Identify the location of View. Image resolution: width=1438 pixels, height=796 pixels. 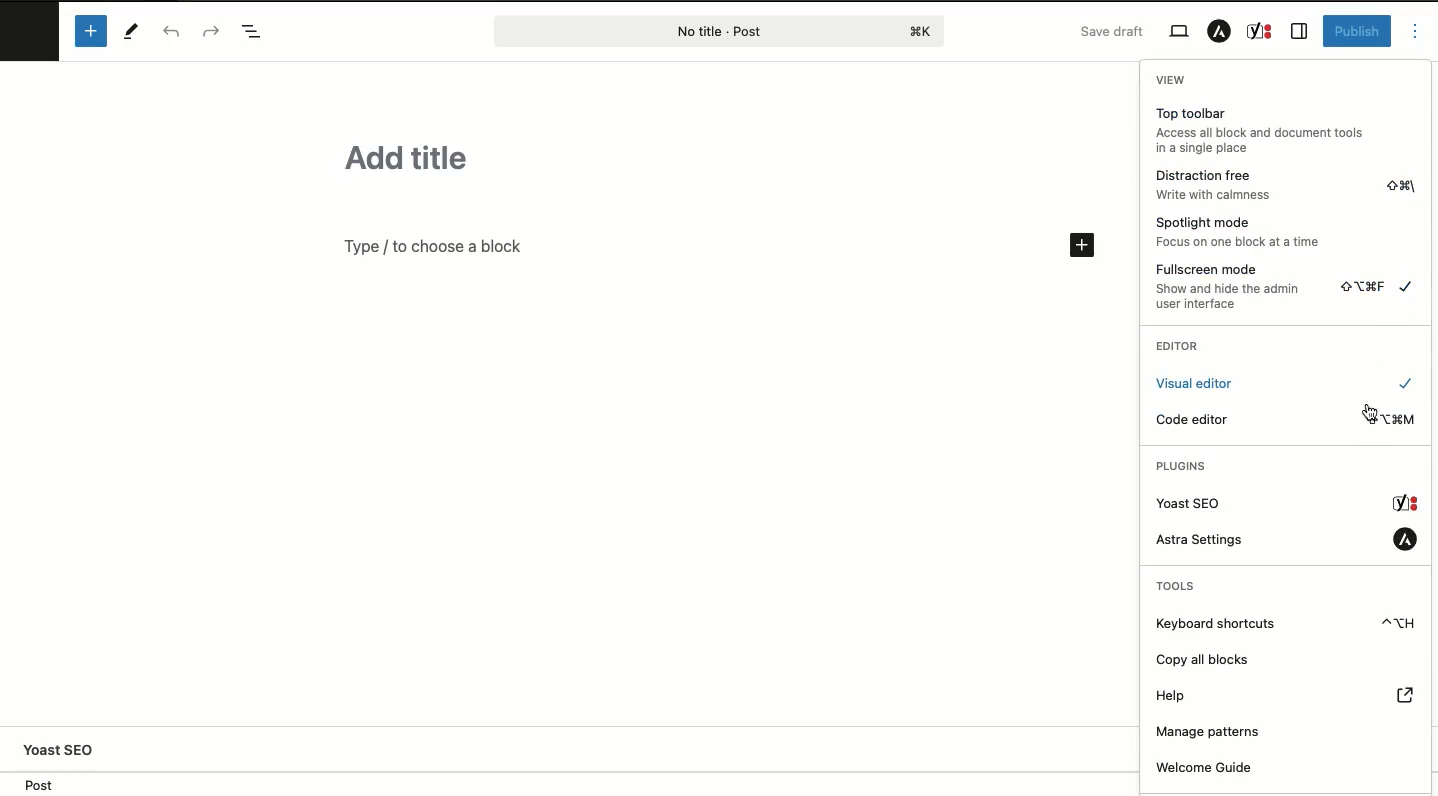
(1174, 78).